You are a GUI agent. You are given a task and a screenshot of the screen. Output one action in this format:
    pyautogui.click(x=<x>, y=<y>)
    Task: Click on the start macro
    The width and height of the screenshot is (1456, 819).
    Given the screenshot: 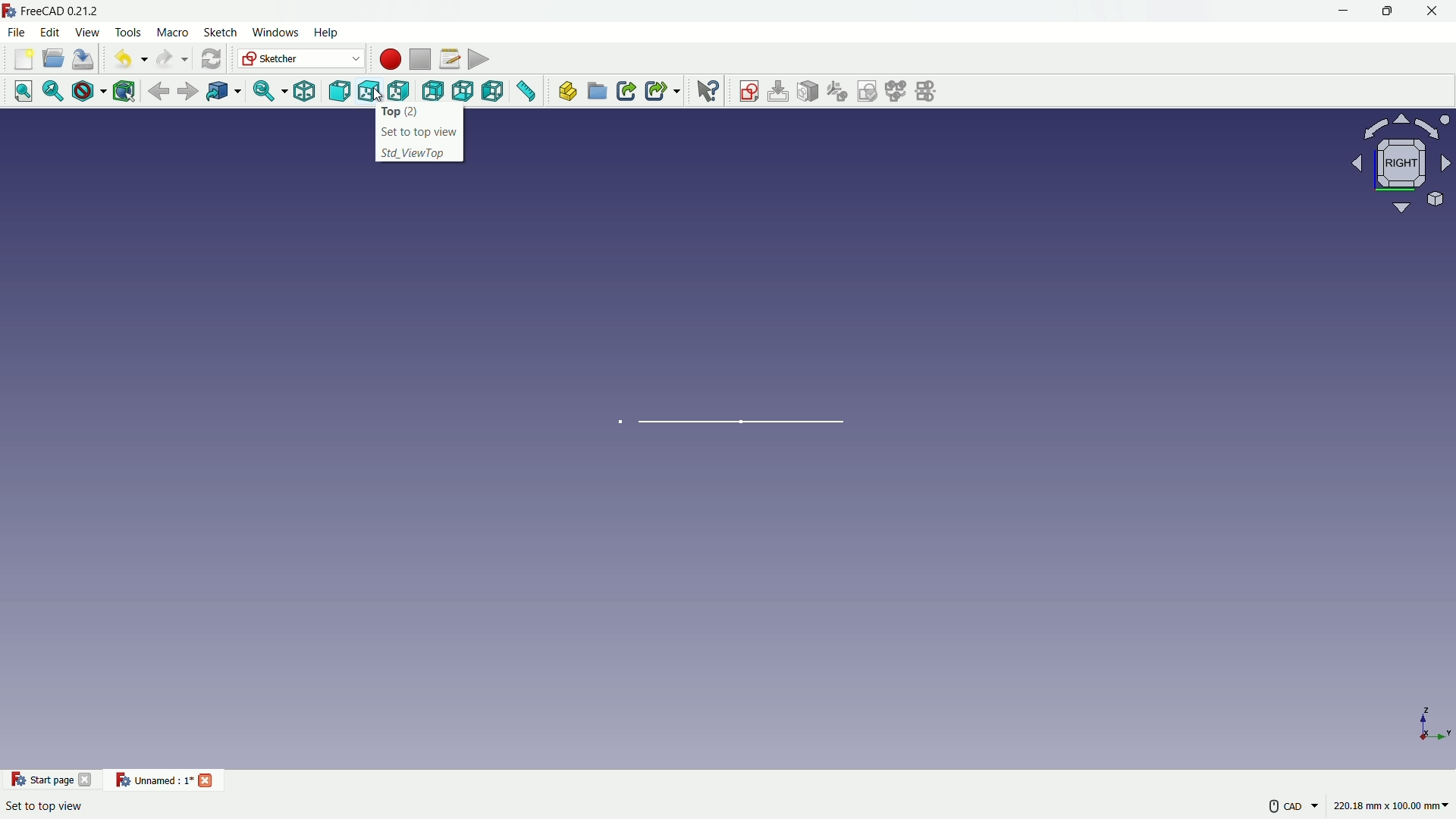 What is the action you would take?
    pyautogui.click(x=387, y=58)
    